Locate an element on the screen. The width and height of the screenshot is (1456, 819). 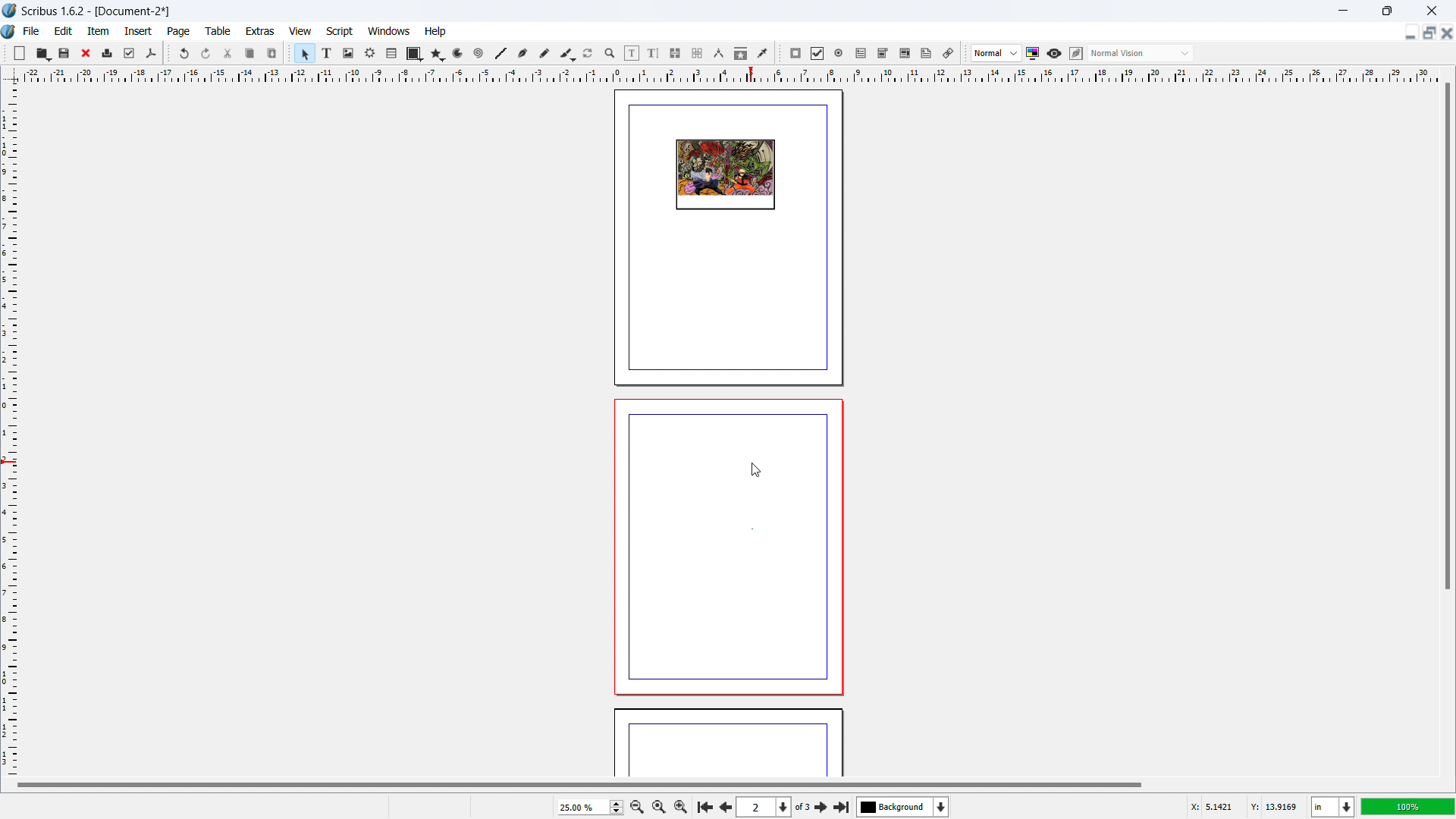
link annotation is located at coordinates (949, 53).